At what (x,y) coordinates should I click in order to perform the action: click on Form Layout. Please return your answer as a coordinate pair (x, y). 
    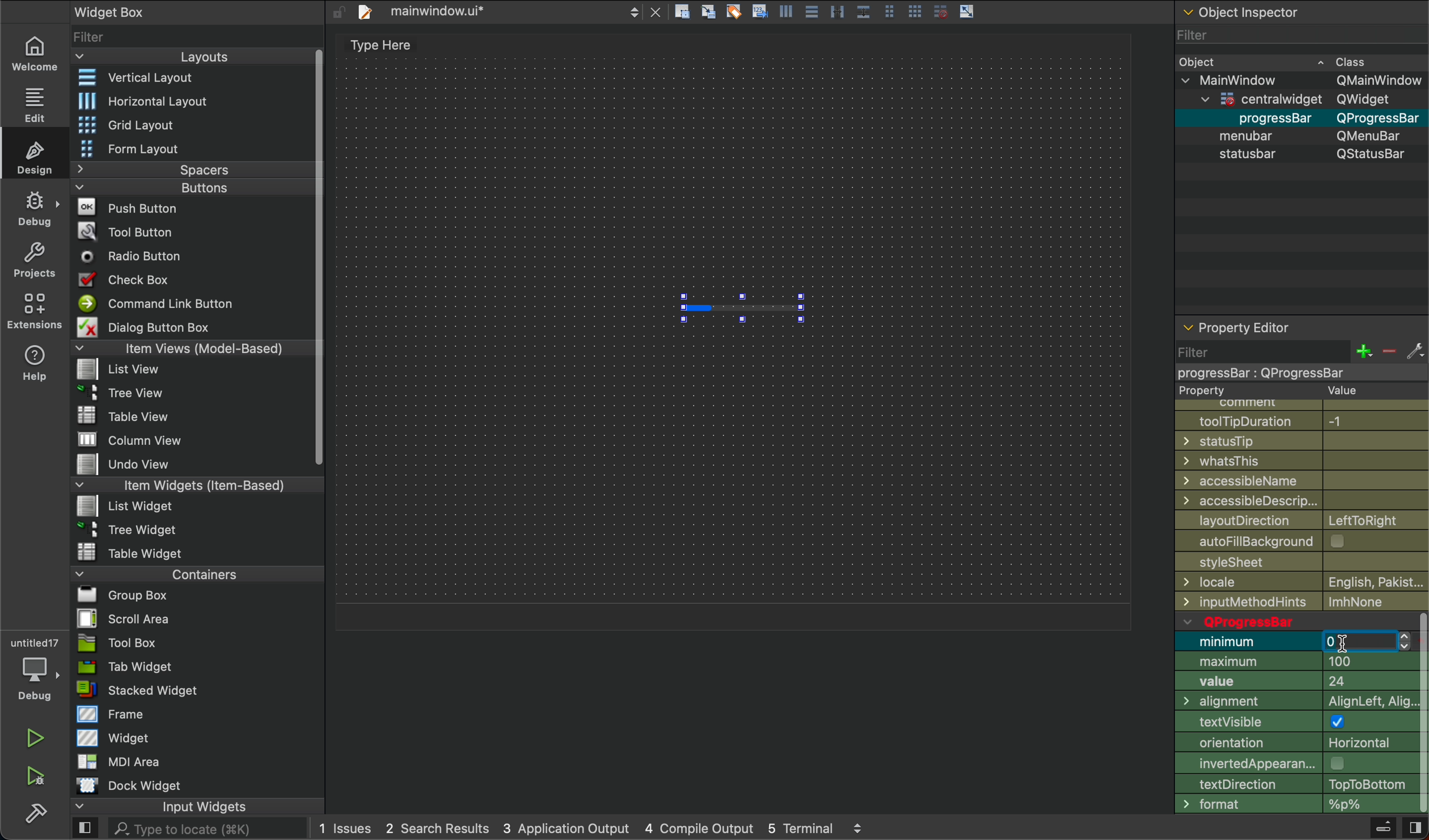
    Looking at the image, I should click on (143, 149).